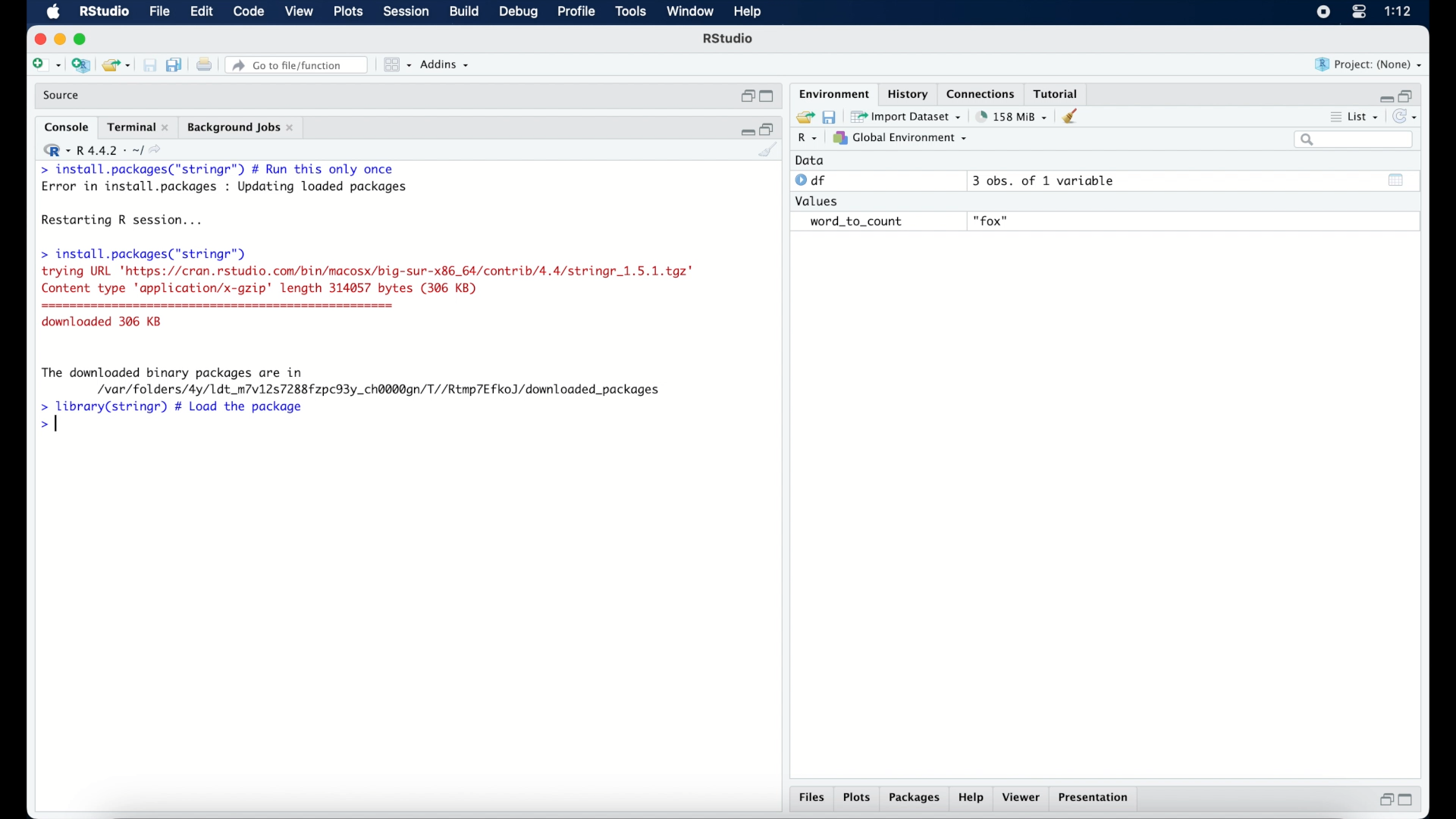  What do you see at coordinates (126, 221) in the screenshot?
I see `Restarting R session...` at bounding box center [126, 221].